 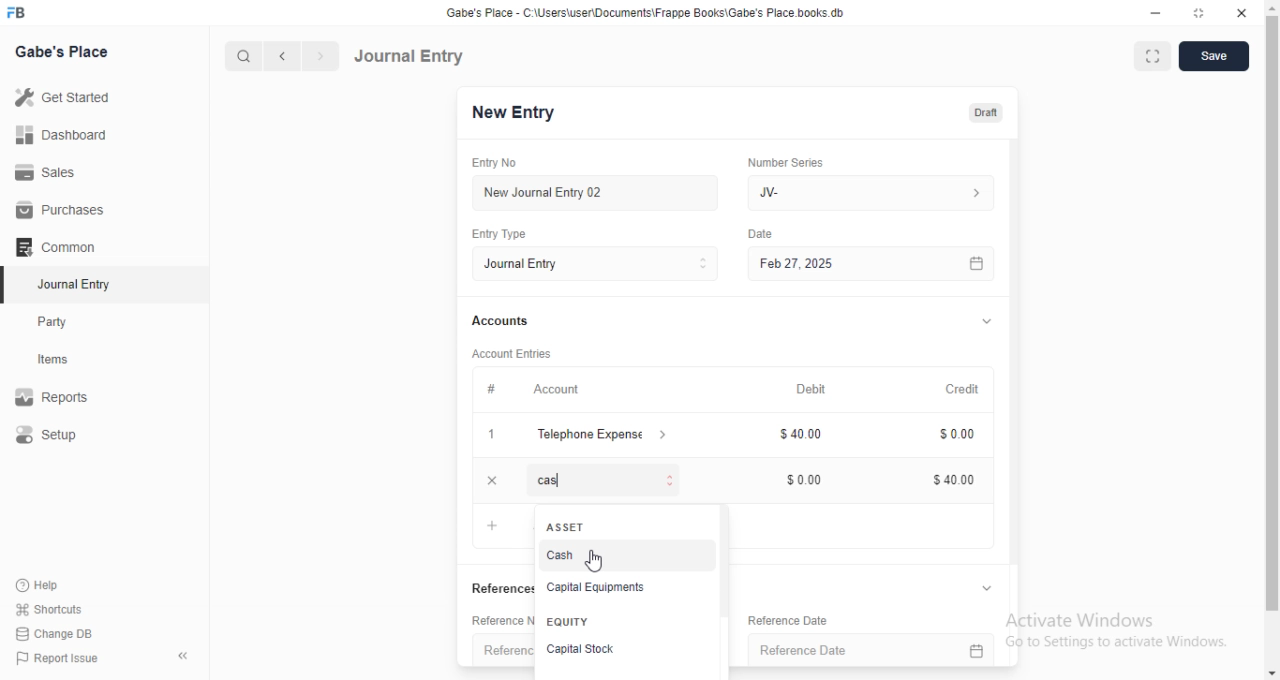 What do you see at coordinates (595, 557) in the screenshot?
I see `cursor` at bounding box center [595, 557].